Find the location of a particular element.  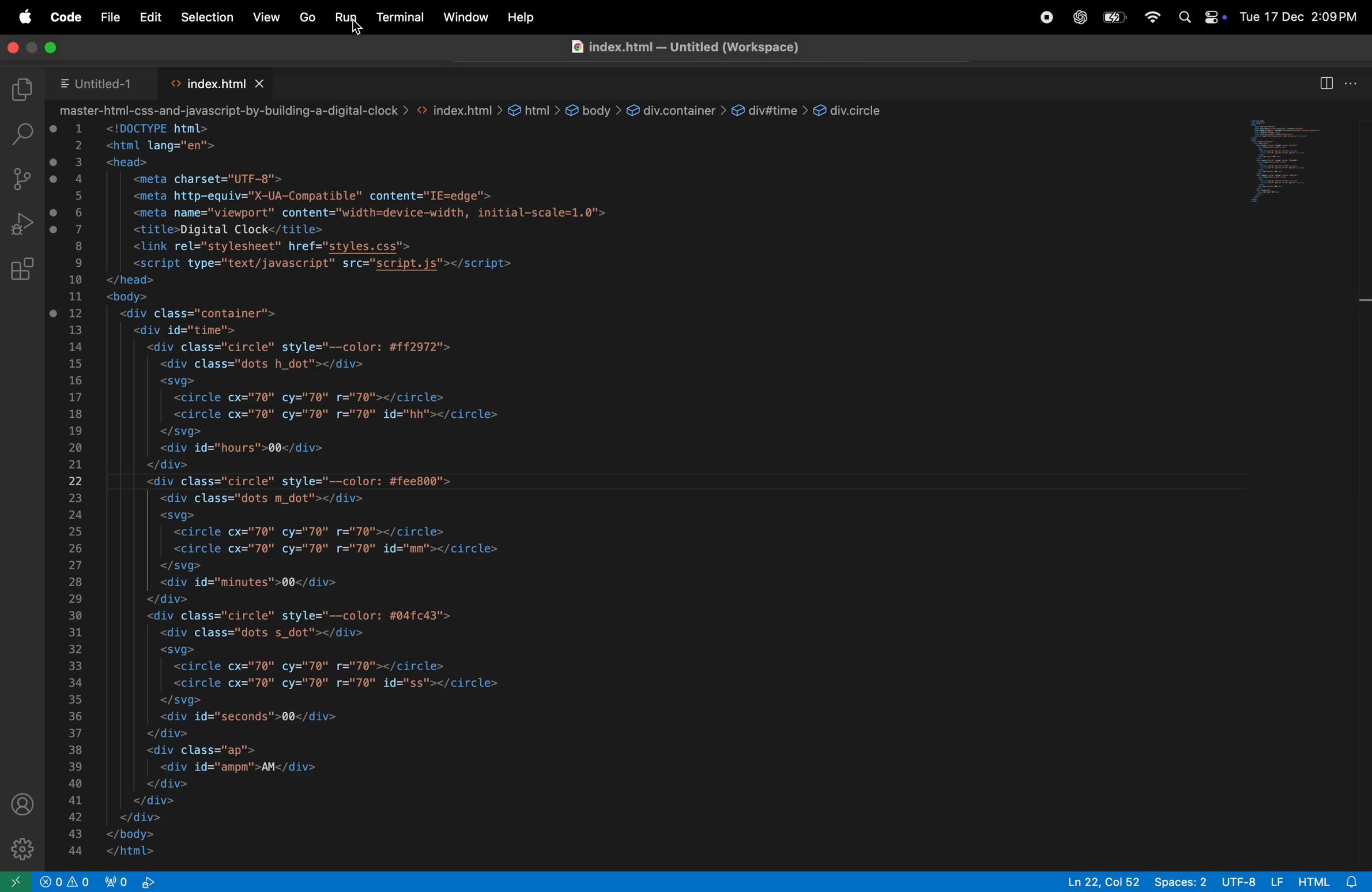

html alert is located at coordinates (1332, 880).